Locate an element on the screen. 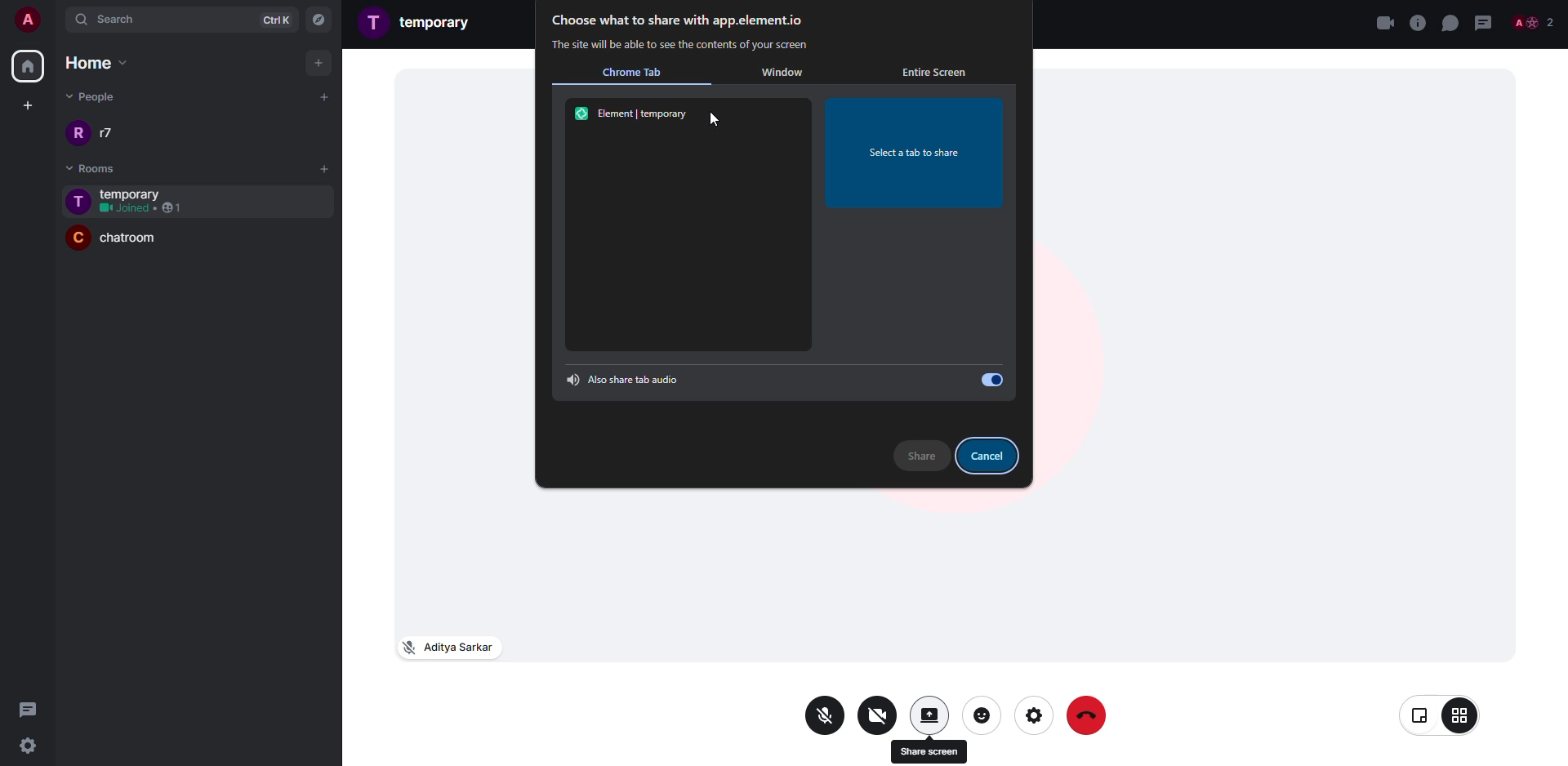 The image size is (1568, 766). room is located at coordinates (138, 193).